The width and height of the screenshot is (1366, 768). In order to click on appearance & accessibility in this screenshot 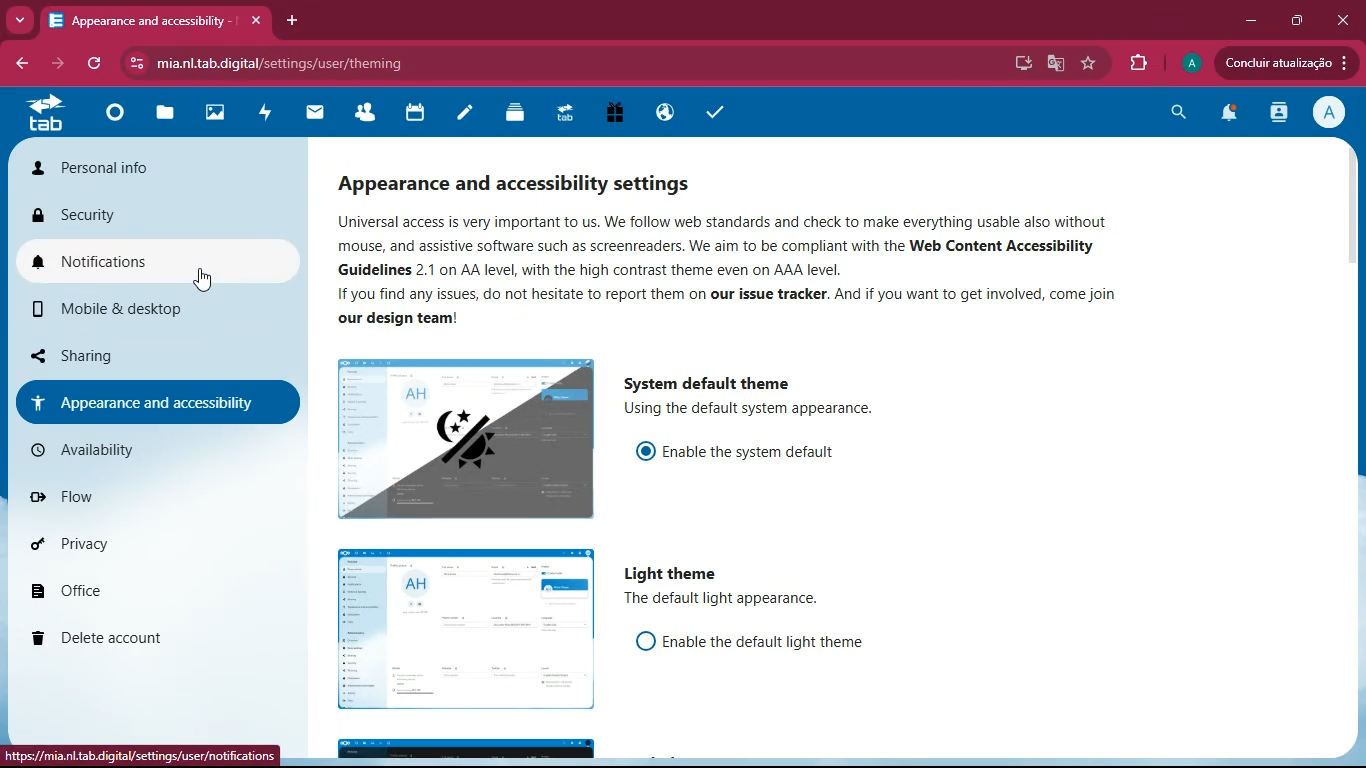, I will do `click(157, 398)`.